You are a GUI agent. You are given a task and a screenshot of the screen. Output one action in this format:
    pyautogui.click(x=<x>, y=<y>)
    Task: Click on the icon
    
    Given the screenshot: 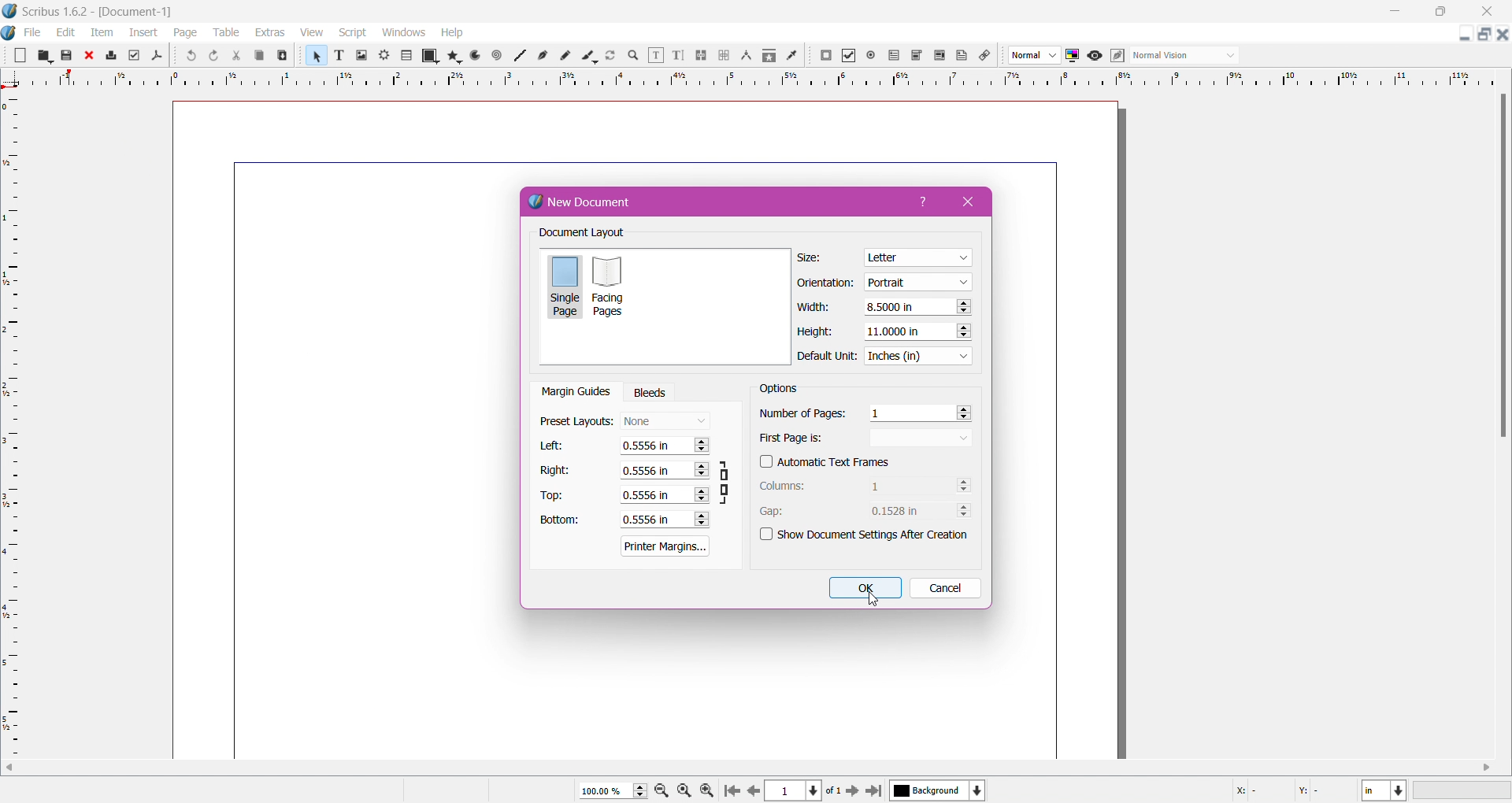 What is the action you would take?
    pyautogui.click(x=518, y=57)
    